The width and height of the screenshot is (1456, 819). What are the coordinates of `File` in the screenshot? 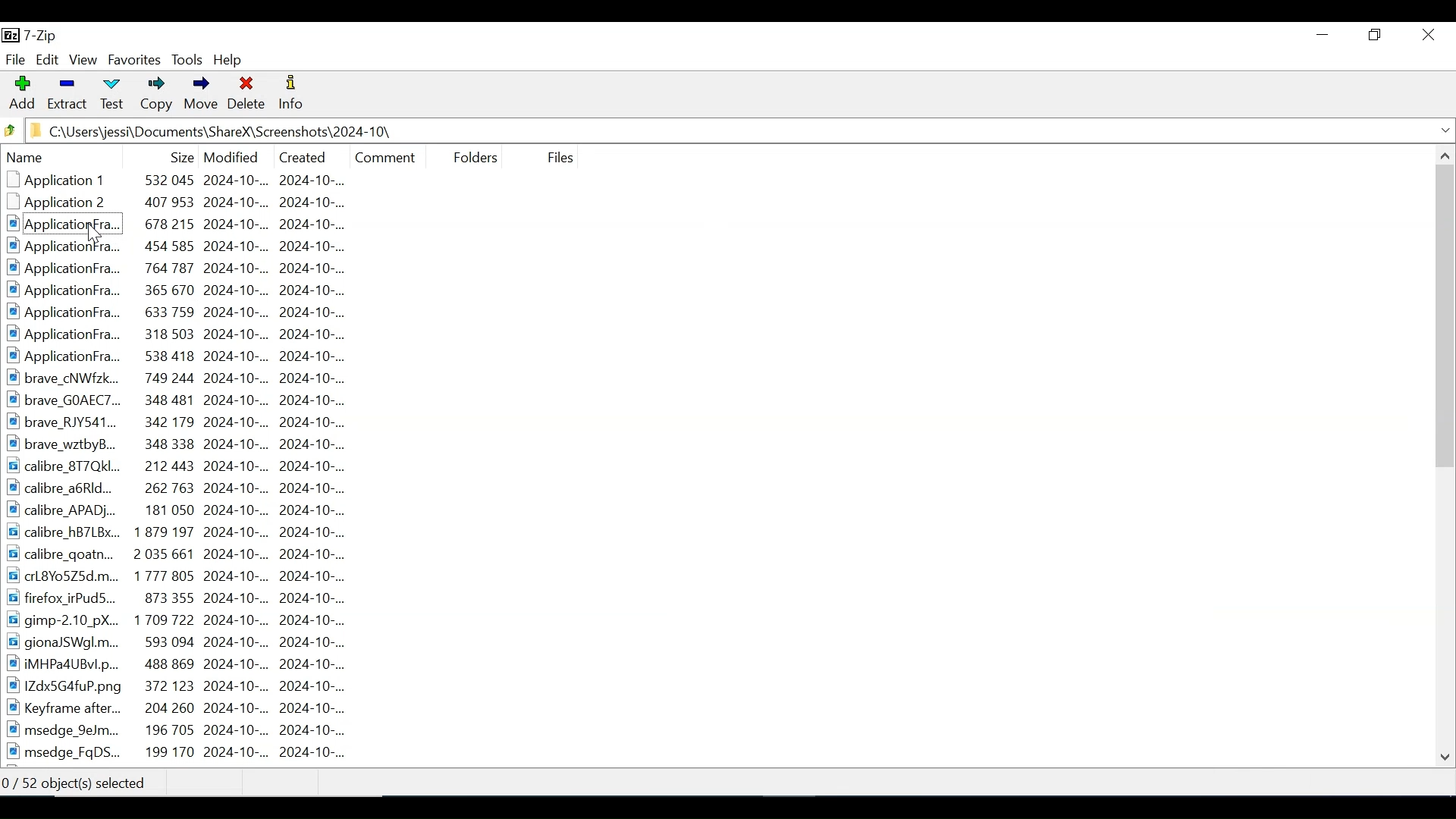 It's located at (15, 58).